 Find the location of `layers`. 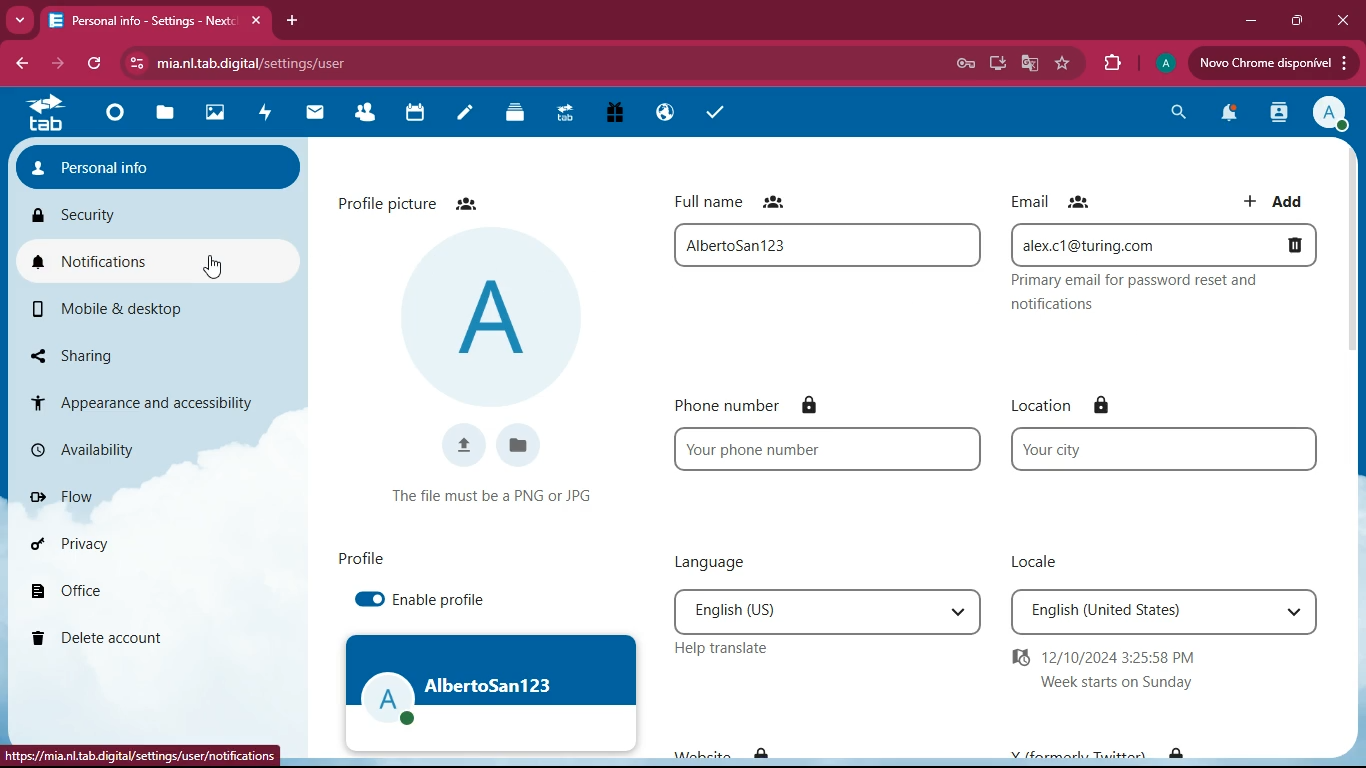

layers is located at coordinates (521, 114).